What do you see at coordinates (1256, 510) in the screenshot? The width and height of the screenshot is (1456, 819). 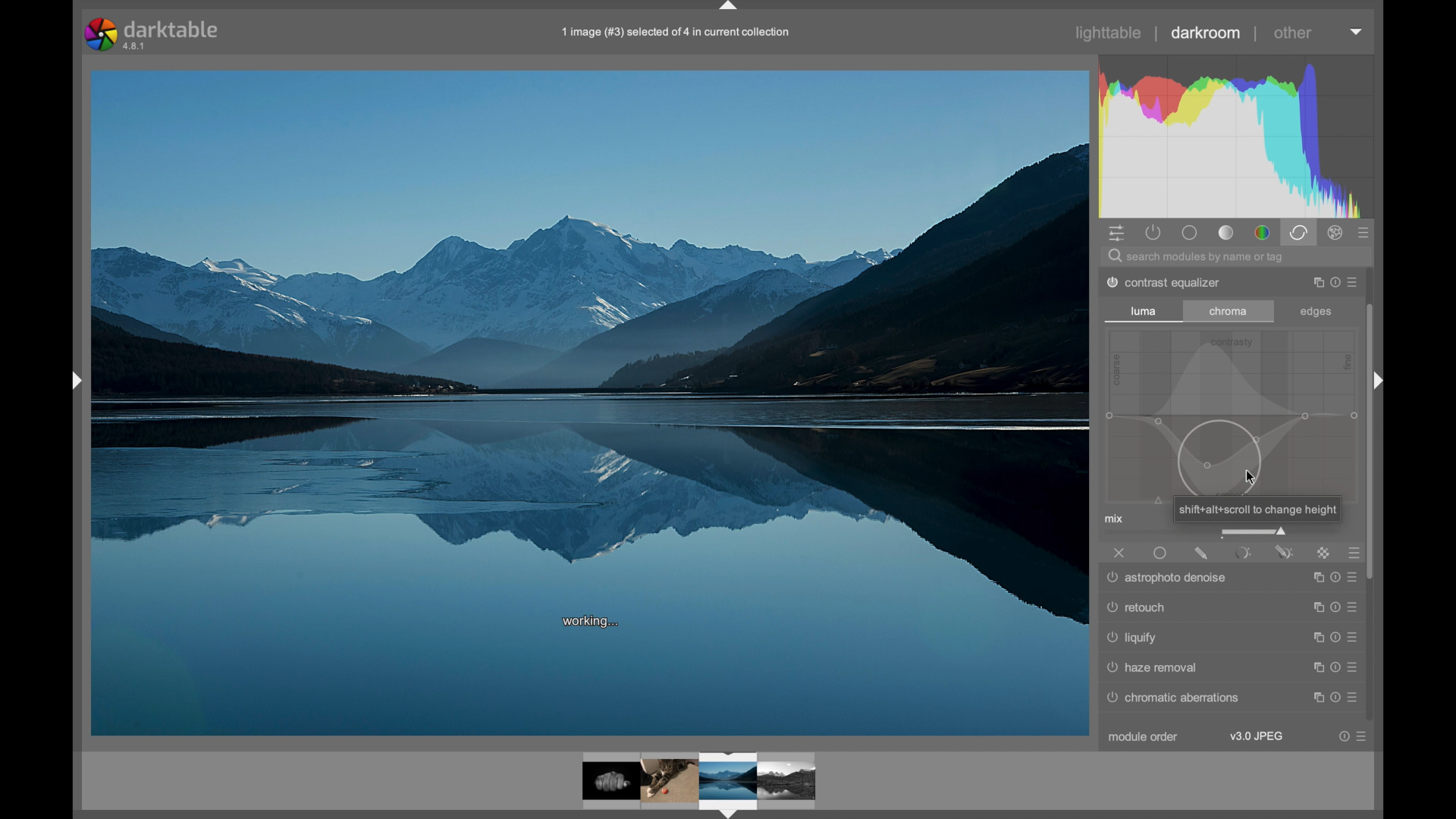 I see `tooltip` at bounding box center [1256, 510].